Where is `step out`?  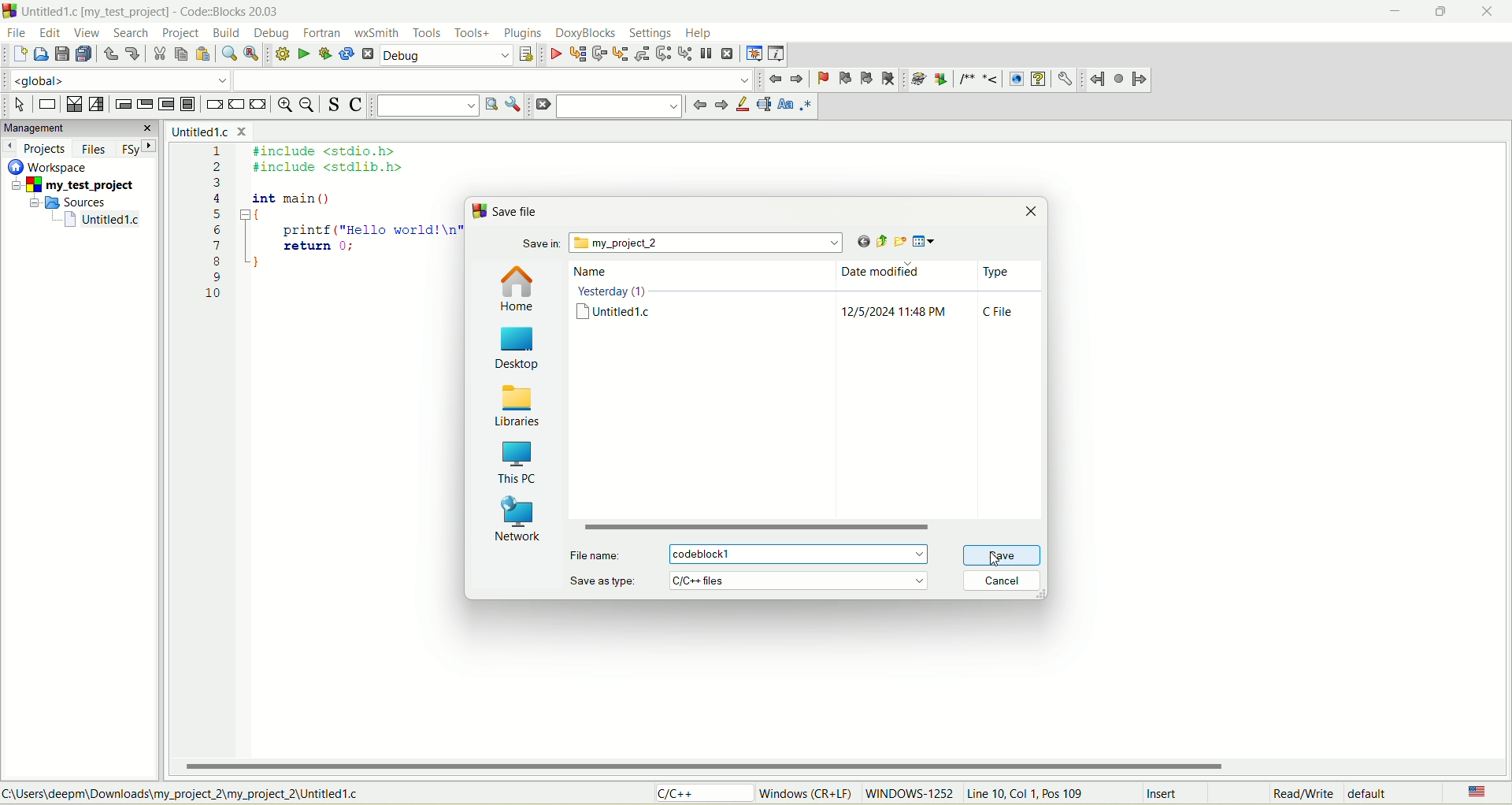
step out is located at coordinates (640, 54).